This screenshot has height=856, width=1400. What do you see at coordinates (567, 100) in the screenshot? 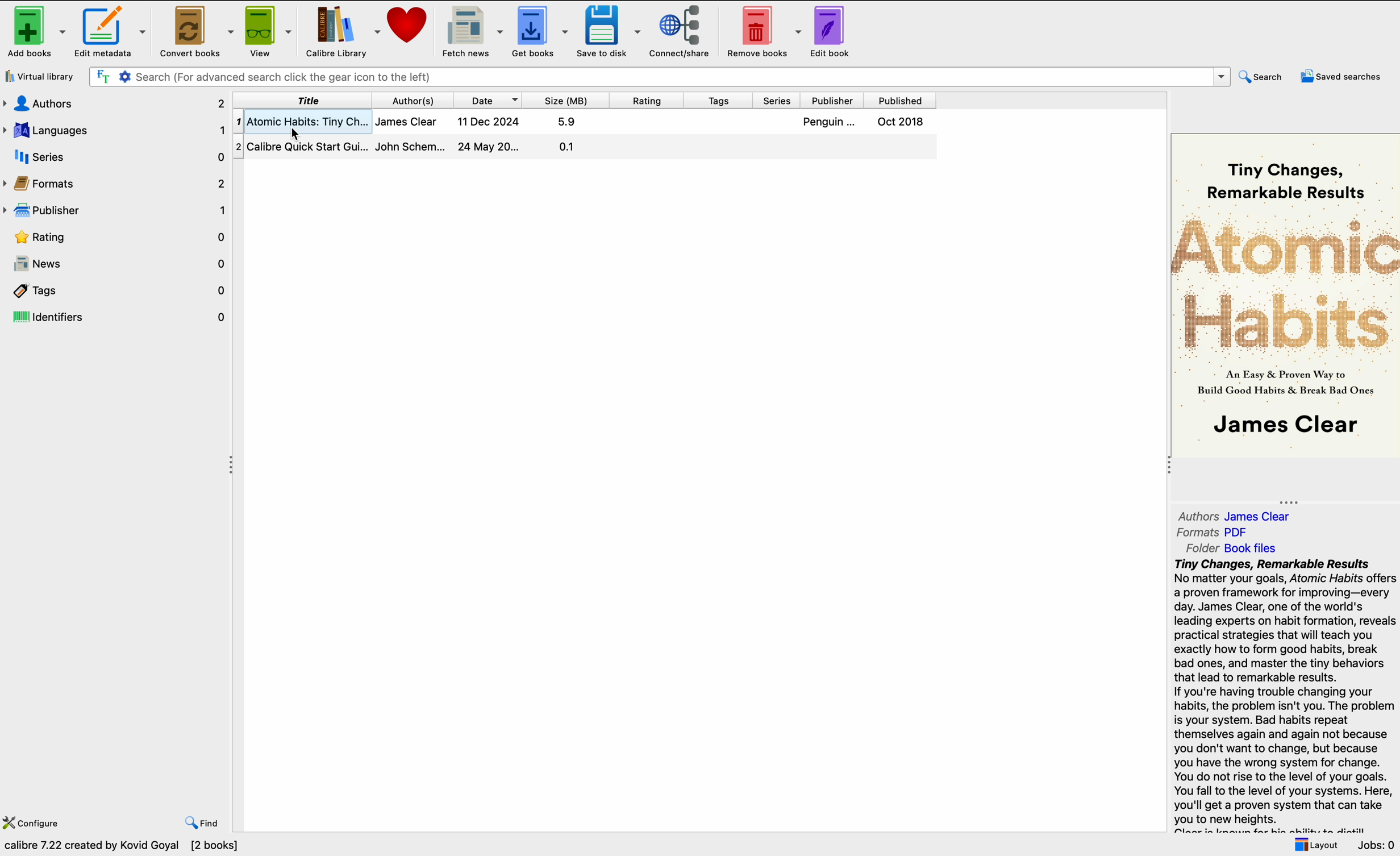
I see `size` at bounding box center [567, 100].